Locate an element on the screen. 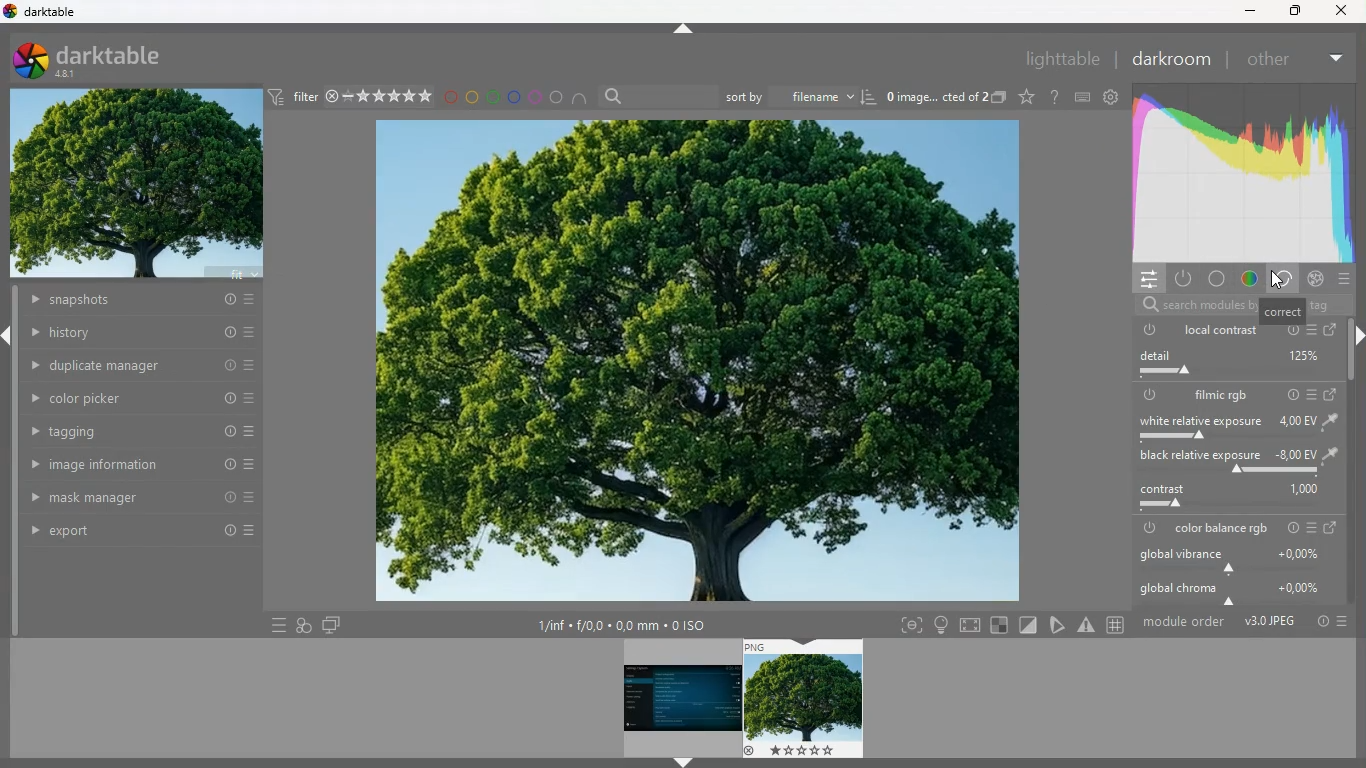 The width and height of the screenshot is (1366, 768). image information is located at coordinates (131, 464).